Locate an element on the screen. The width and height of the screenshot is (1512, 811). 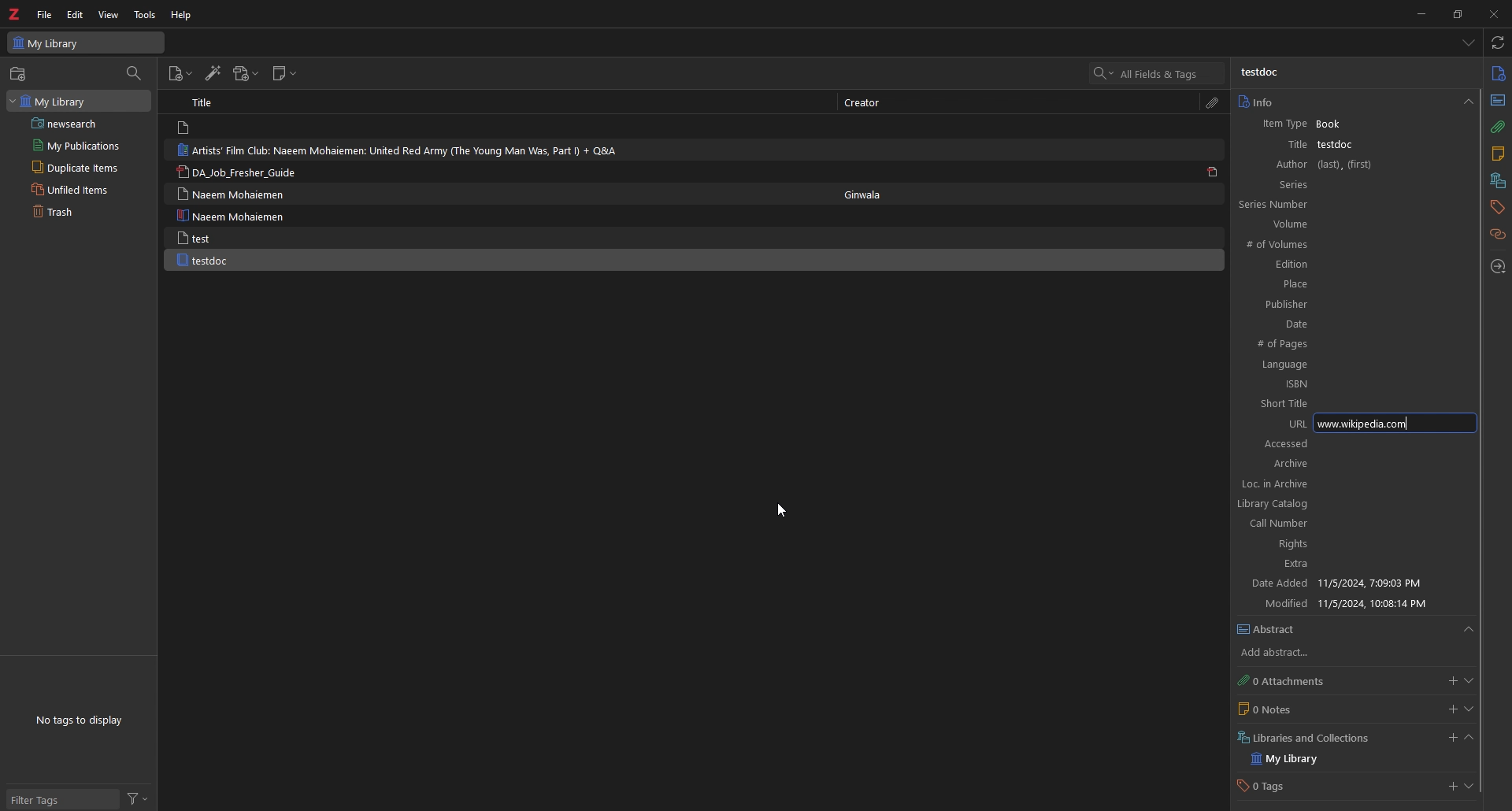
show is located at coordinates (1470, 786).